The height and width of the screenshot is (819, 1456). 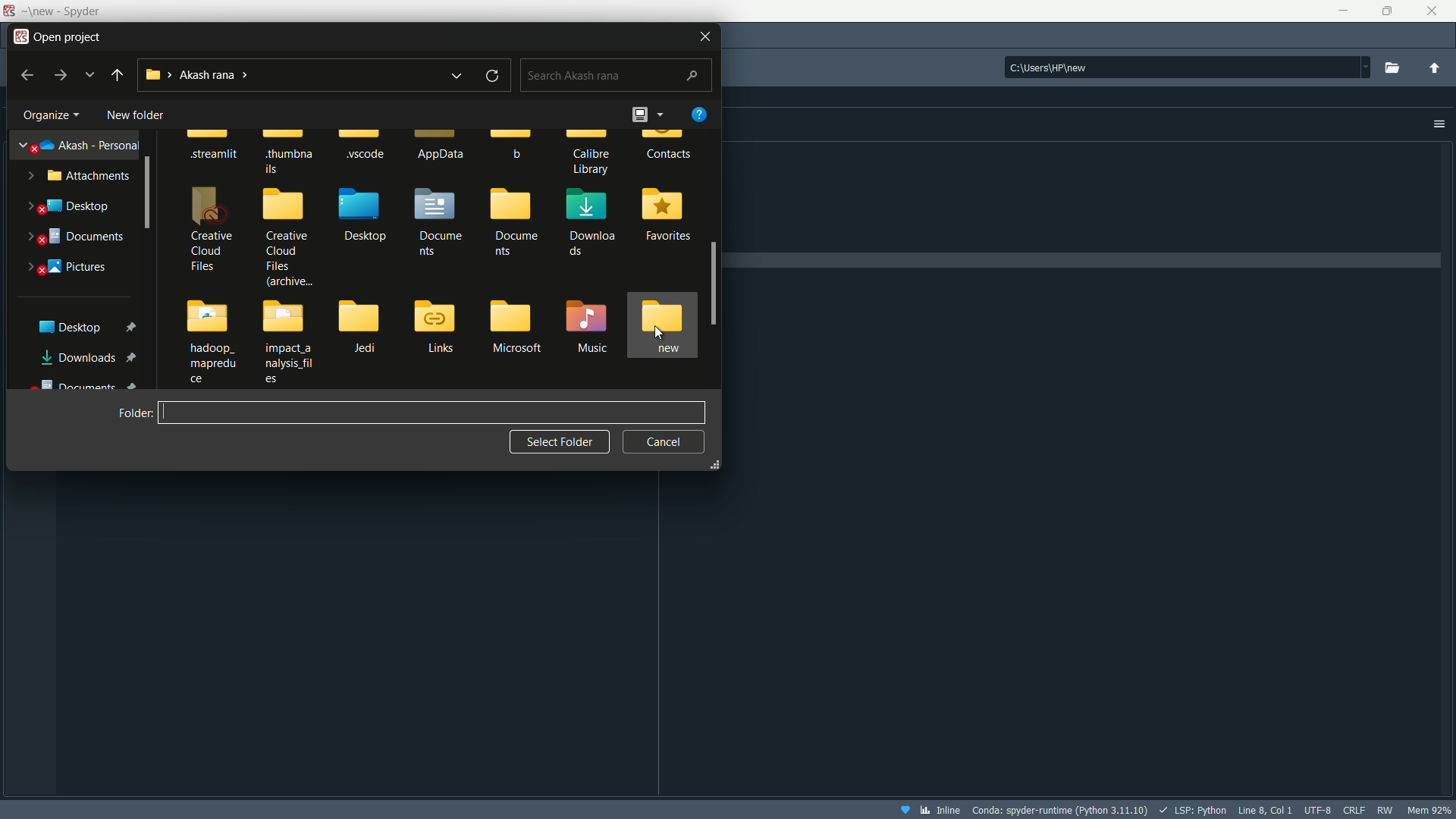 I want to click on forward, so click(x=61, y=76).